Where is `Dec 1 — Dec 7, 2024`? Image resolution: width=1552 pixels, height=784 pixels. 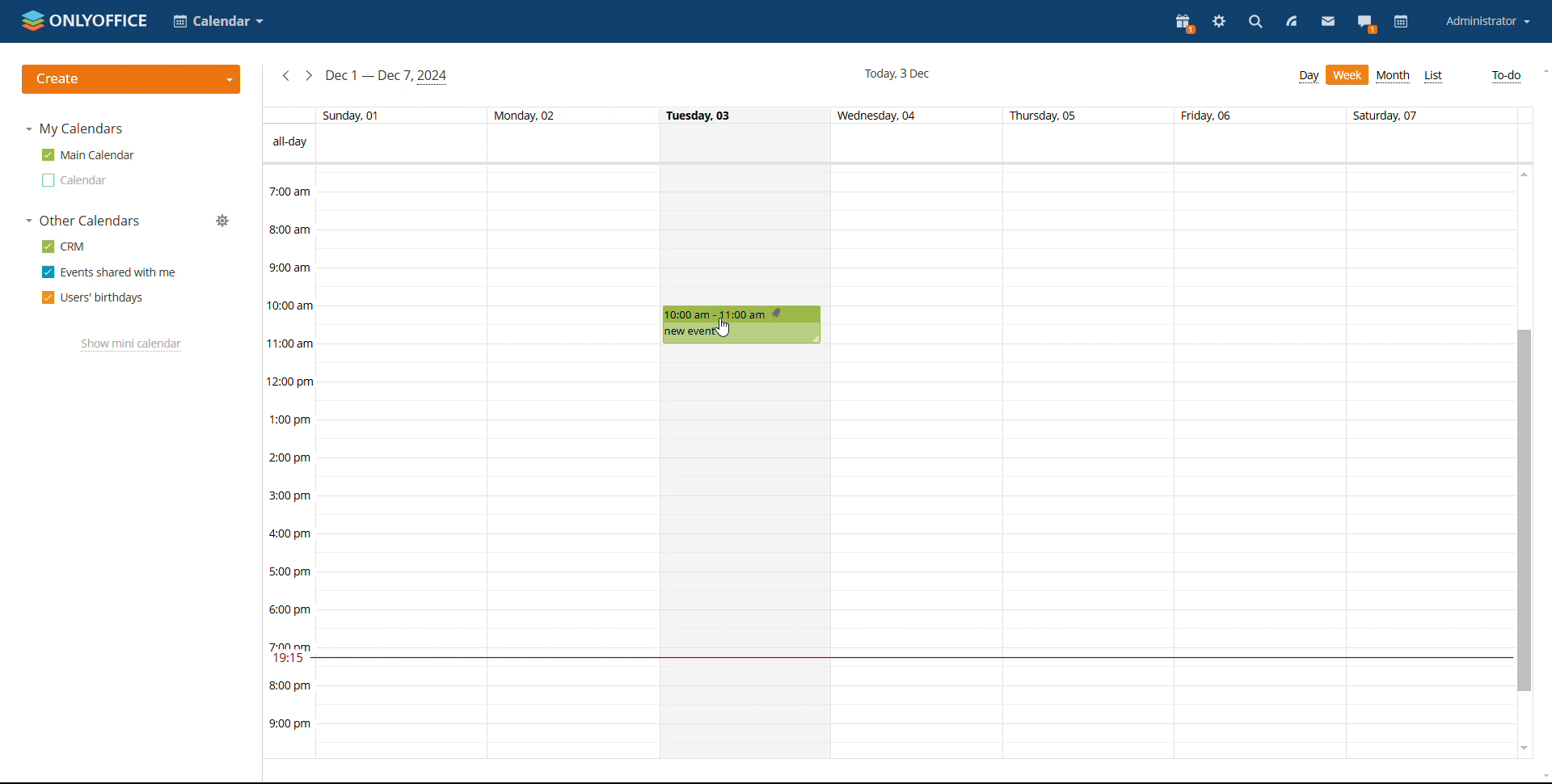
Dec 1 — Dec 7, 2024 is located at coordinates (390, 76).